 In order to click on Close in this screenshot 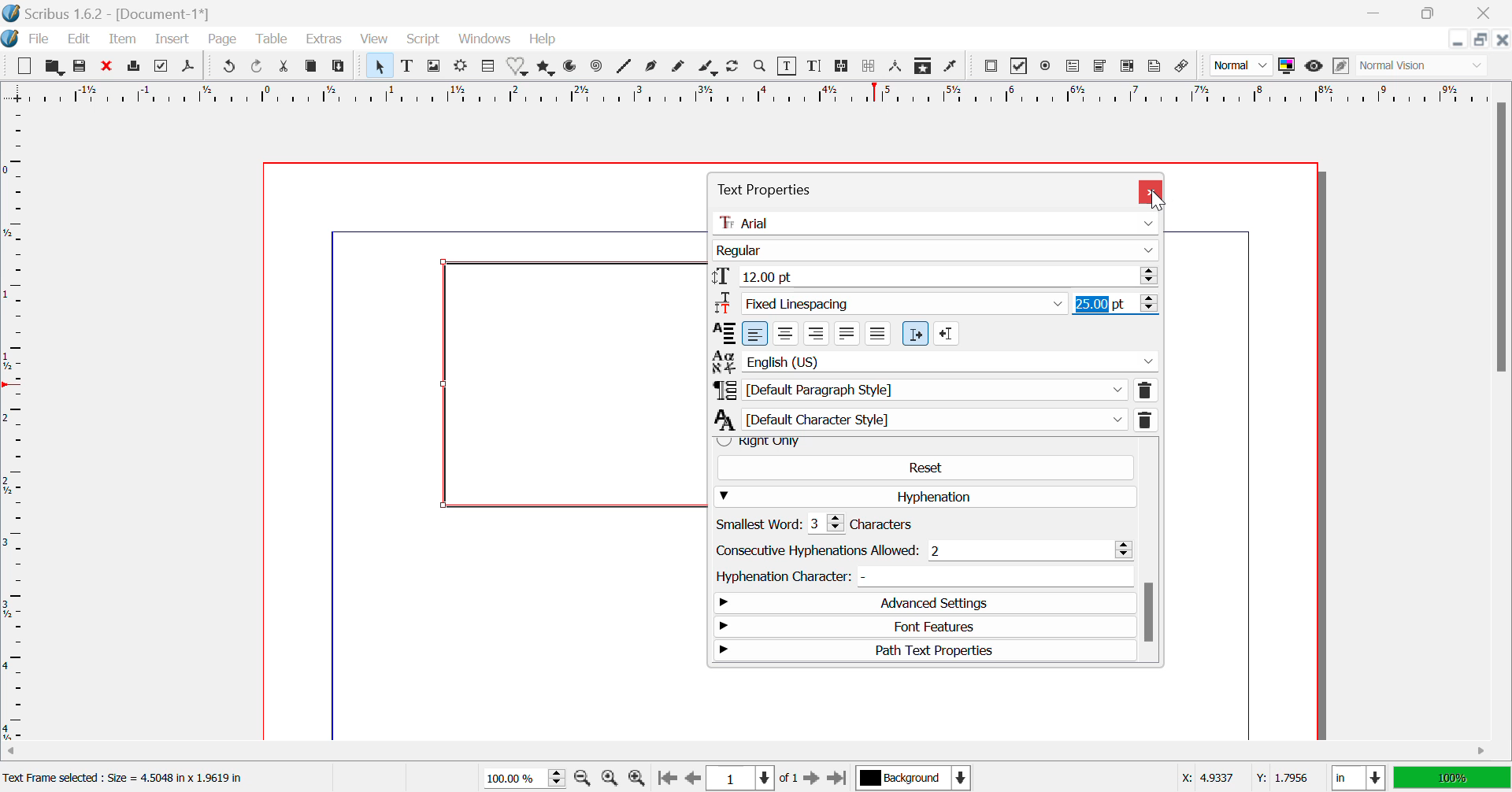, I will do `click(1152, 191)`.